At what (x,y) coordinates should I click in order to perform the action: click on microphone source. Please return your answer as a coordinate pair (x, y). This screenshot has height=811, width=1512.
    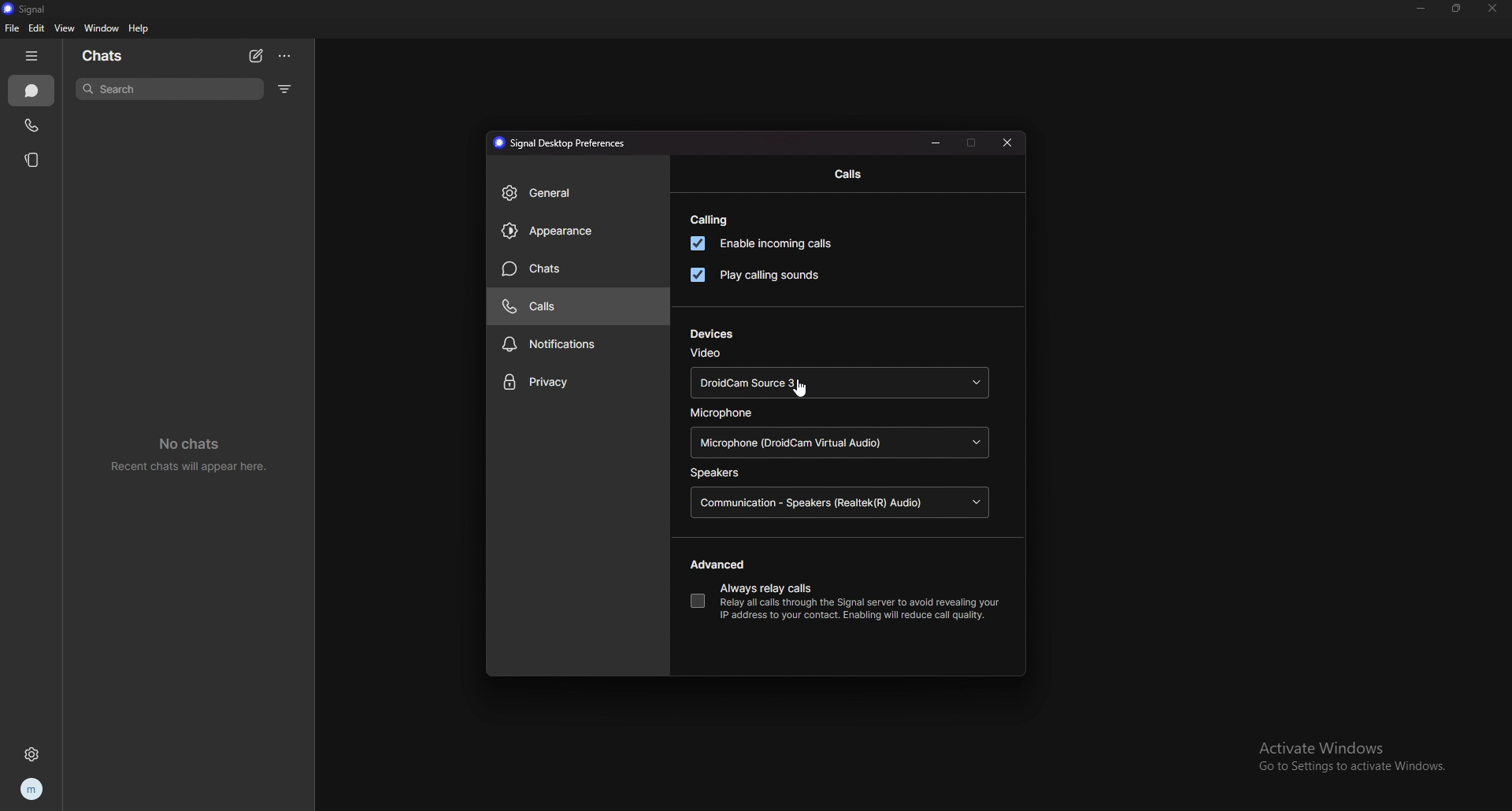
    Looking at the image, I should click on (839, 443).